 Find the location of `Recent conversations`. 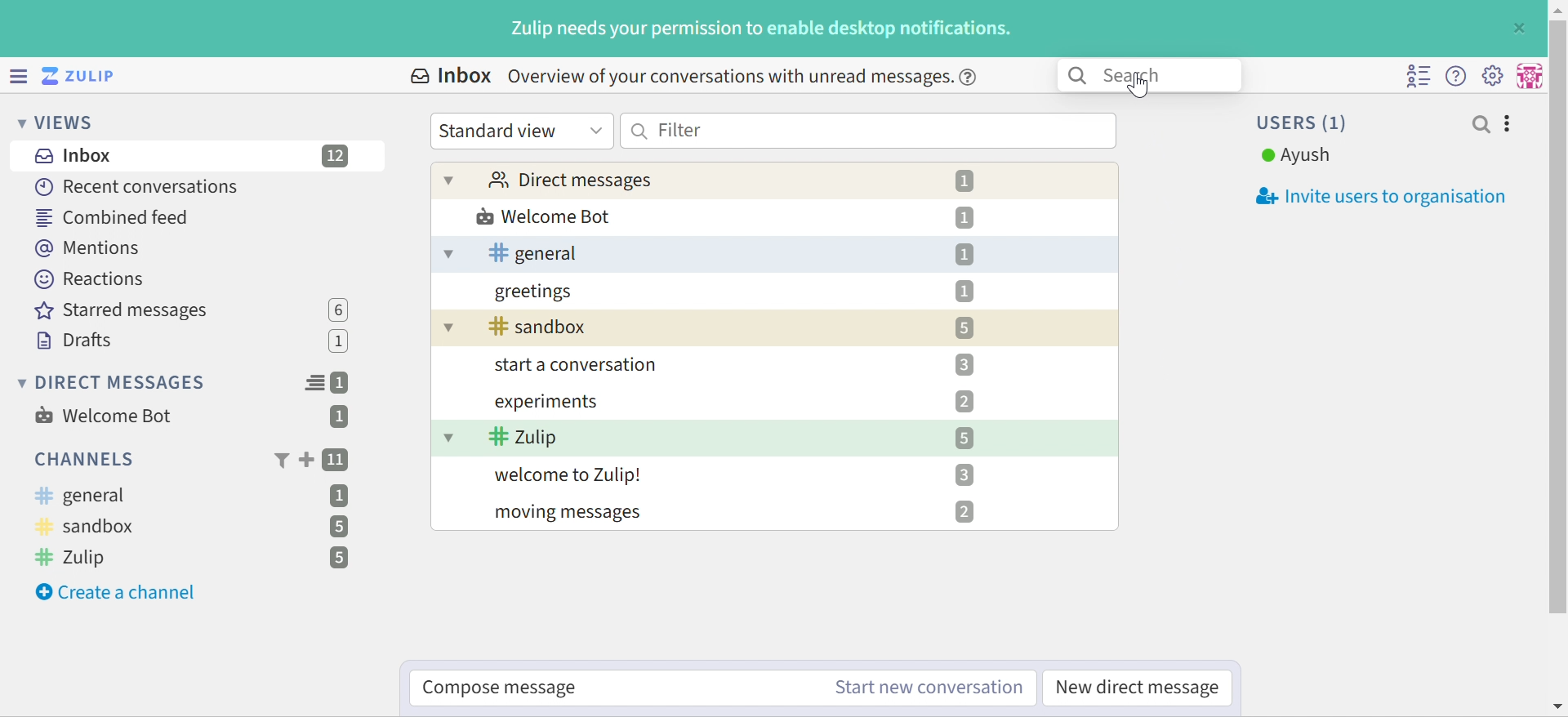

Recent conversations is located at coordinates (138, 186).